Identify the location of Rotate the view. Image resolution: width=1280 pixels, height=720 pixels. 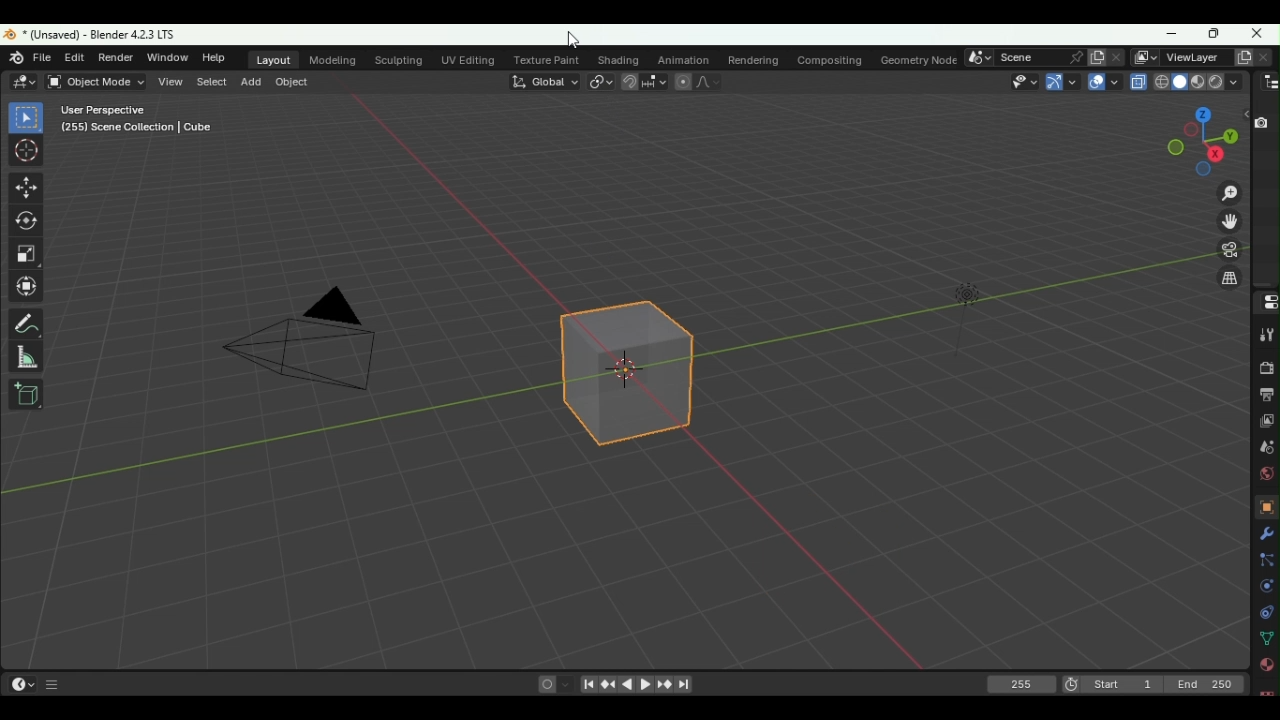
(1171, 147).